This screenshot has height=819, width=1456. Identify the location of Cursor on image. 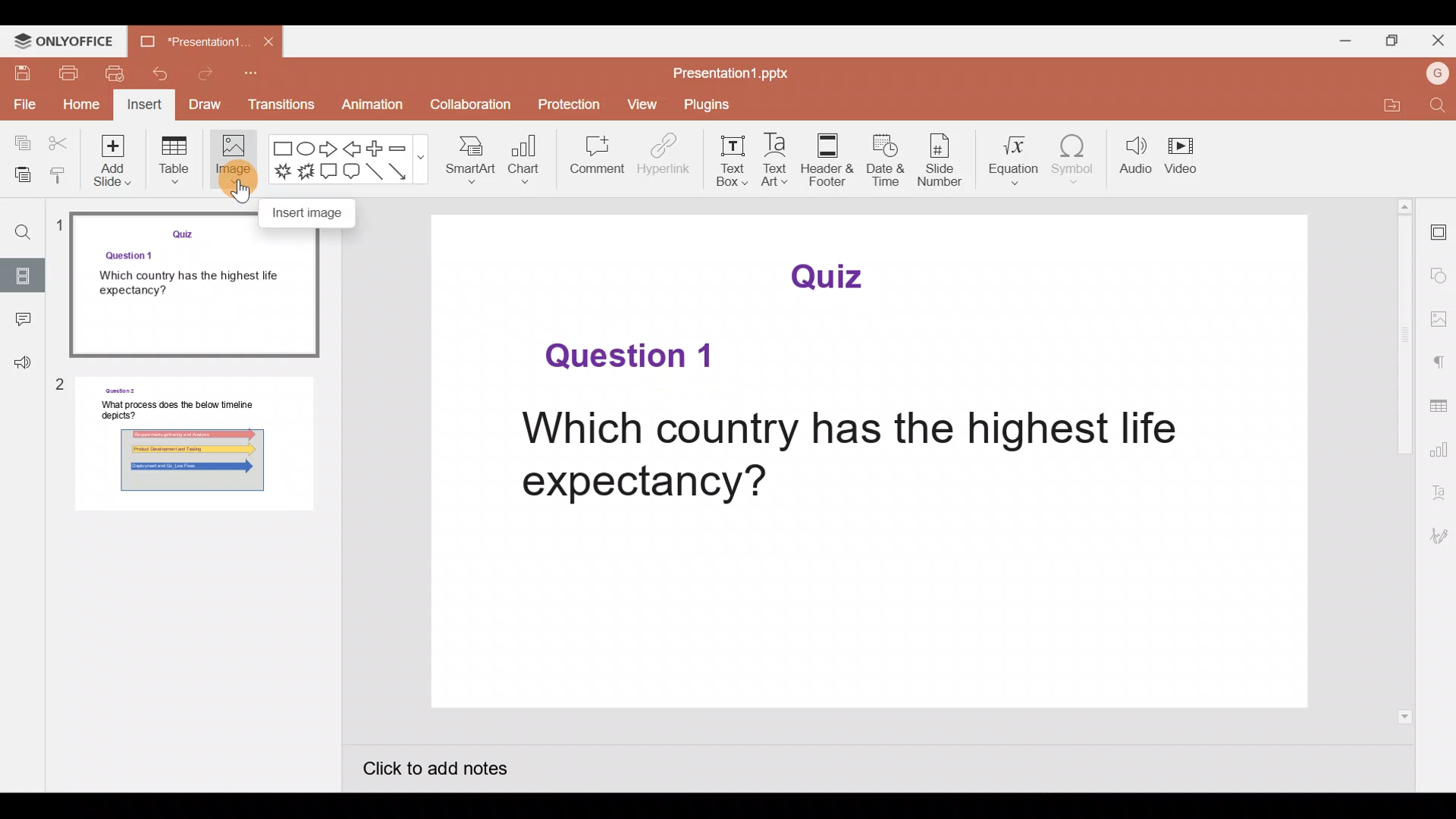
(232, 177).